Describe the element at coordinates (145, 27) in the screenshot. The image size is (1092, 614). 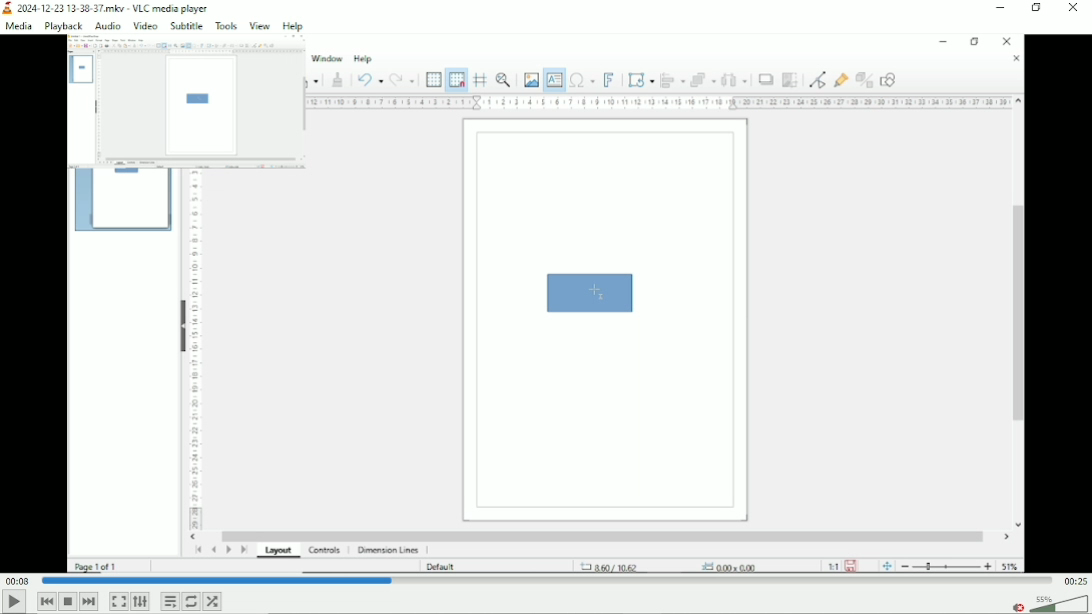
I see `Video` at that location.